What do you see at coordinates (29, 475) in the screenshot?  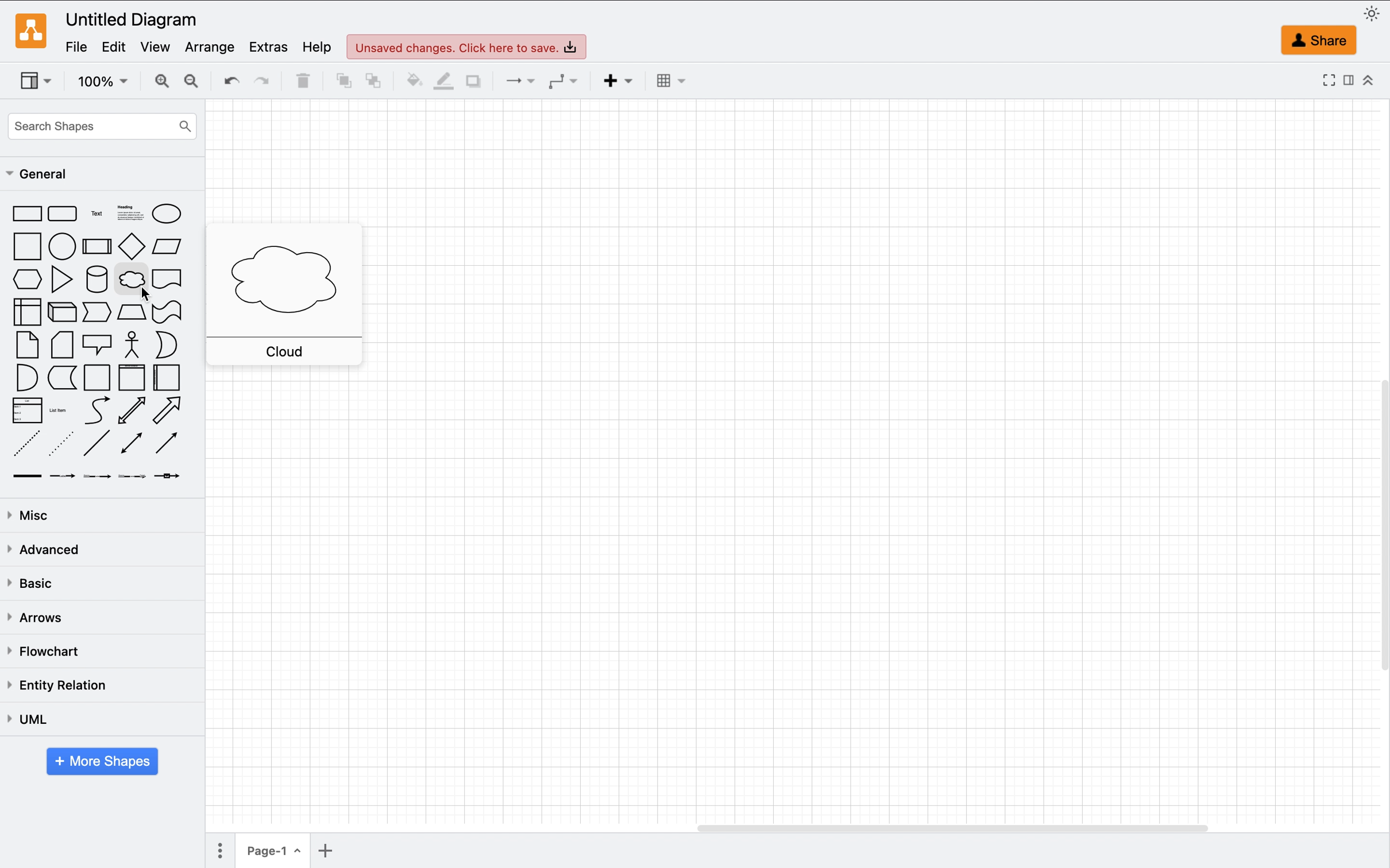 I see `link` at bounding box center [29, 475].